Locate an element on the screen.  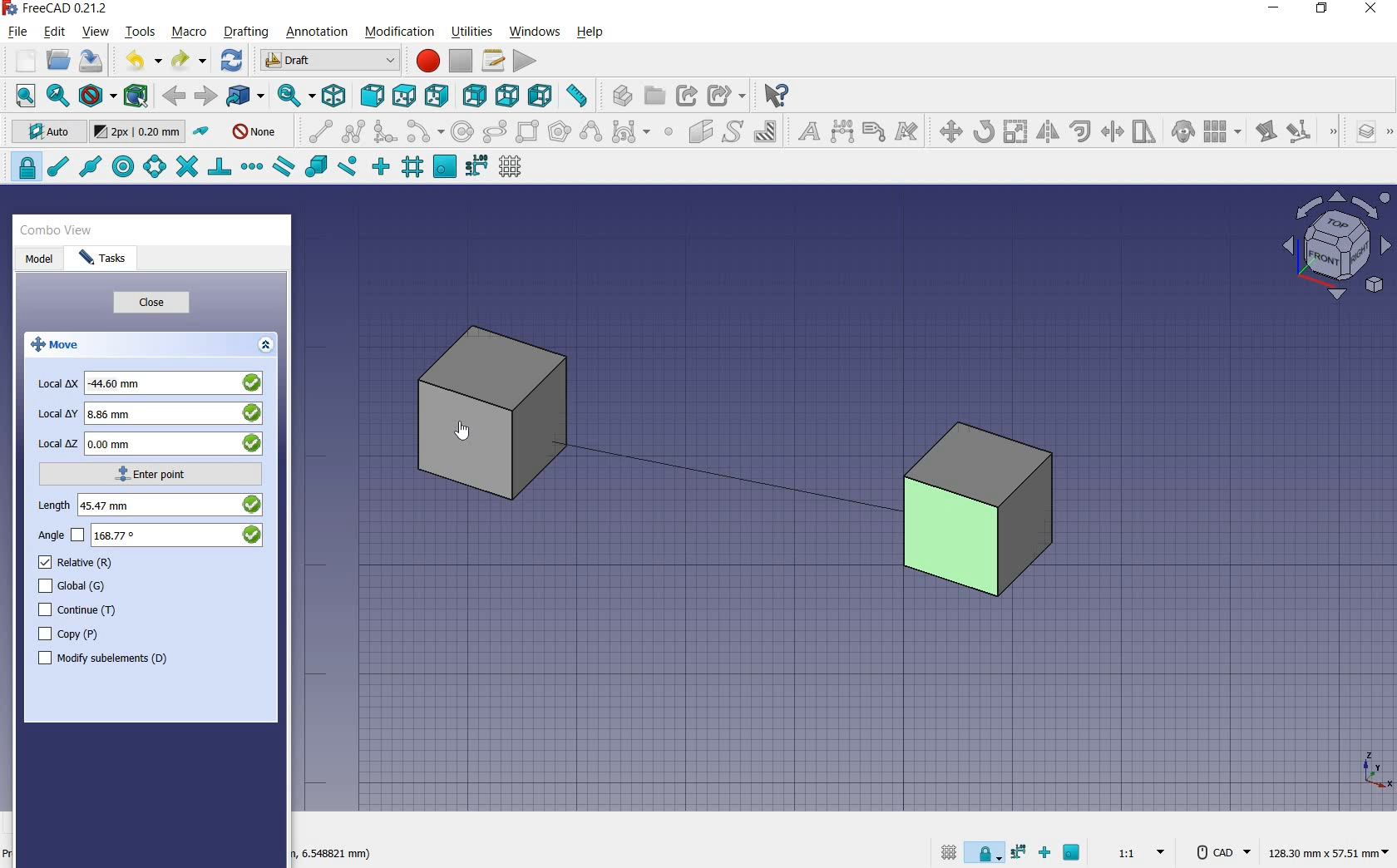
new is located at coordinates (21, 61).